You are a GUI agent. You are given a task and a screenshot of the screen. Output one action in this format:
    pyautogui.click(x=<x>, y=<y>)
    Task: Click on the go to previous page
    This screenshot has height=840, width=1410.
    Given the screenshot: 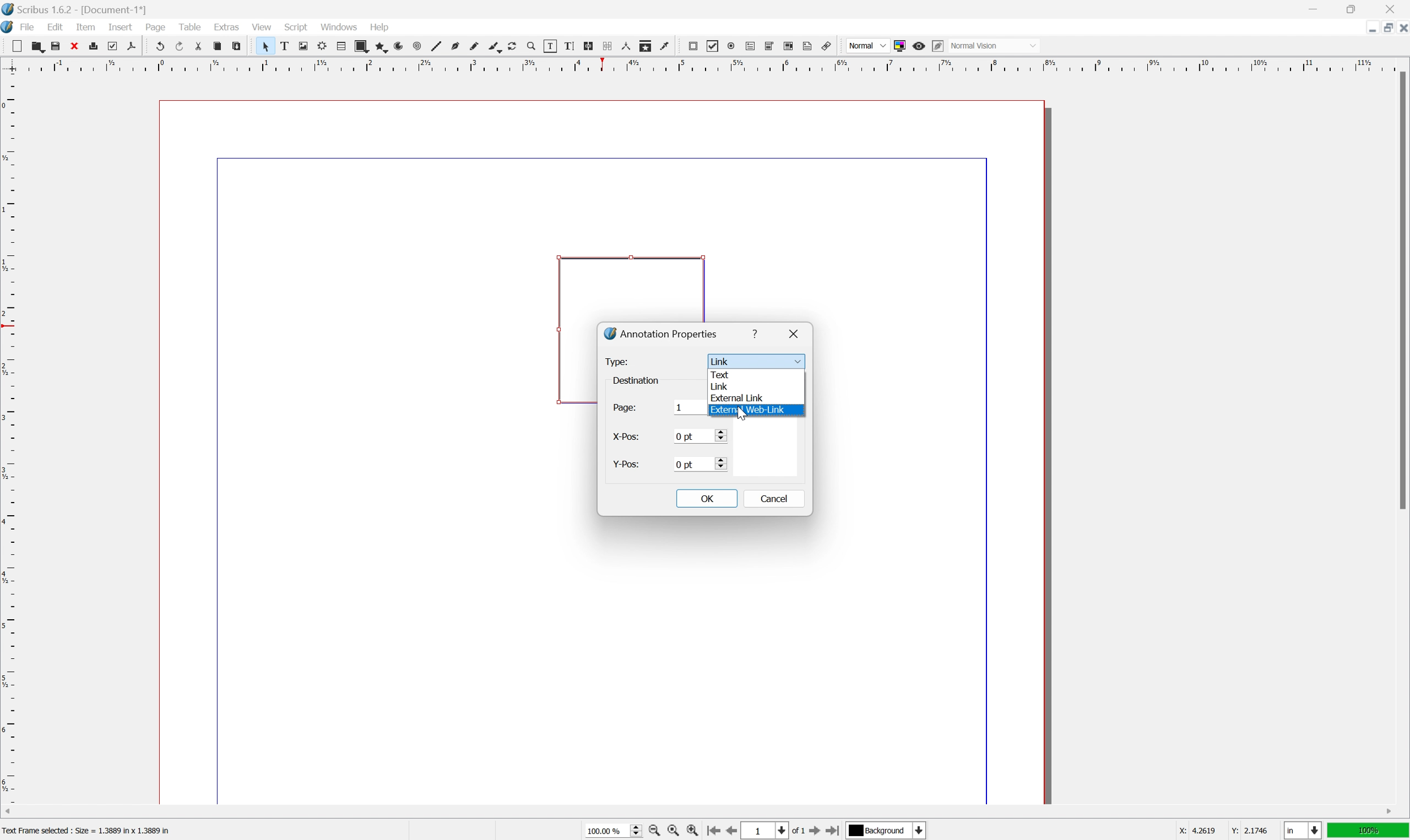 What is the action you would take?
    pyautogui.click(x=729, y=830)
    